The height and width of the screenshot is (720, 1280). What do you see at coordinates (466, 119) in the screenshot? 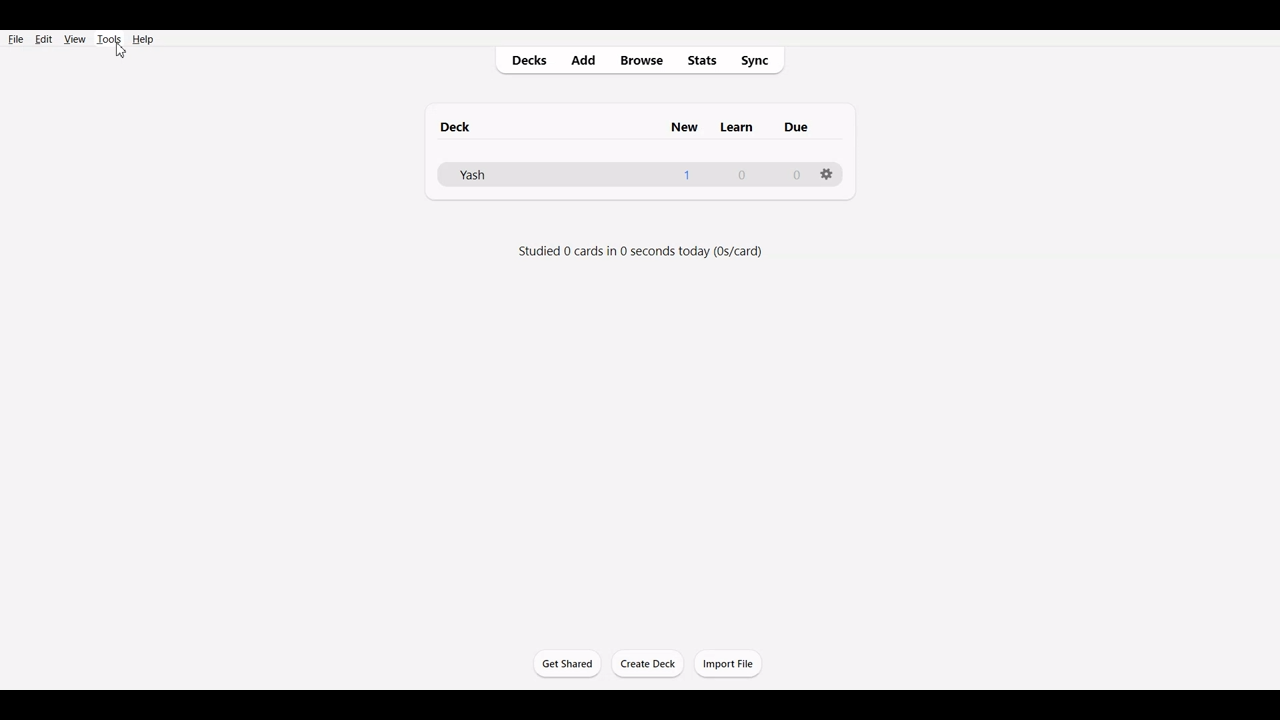
I see `deck` at bounding box center [466, 119].